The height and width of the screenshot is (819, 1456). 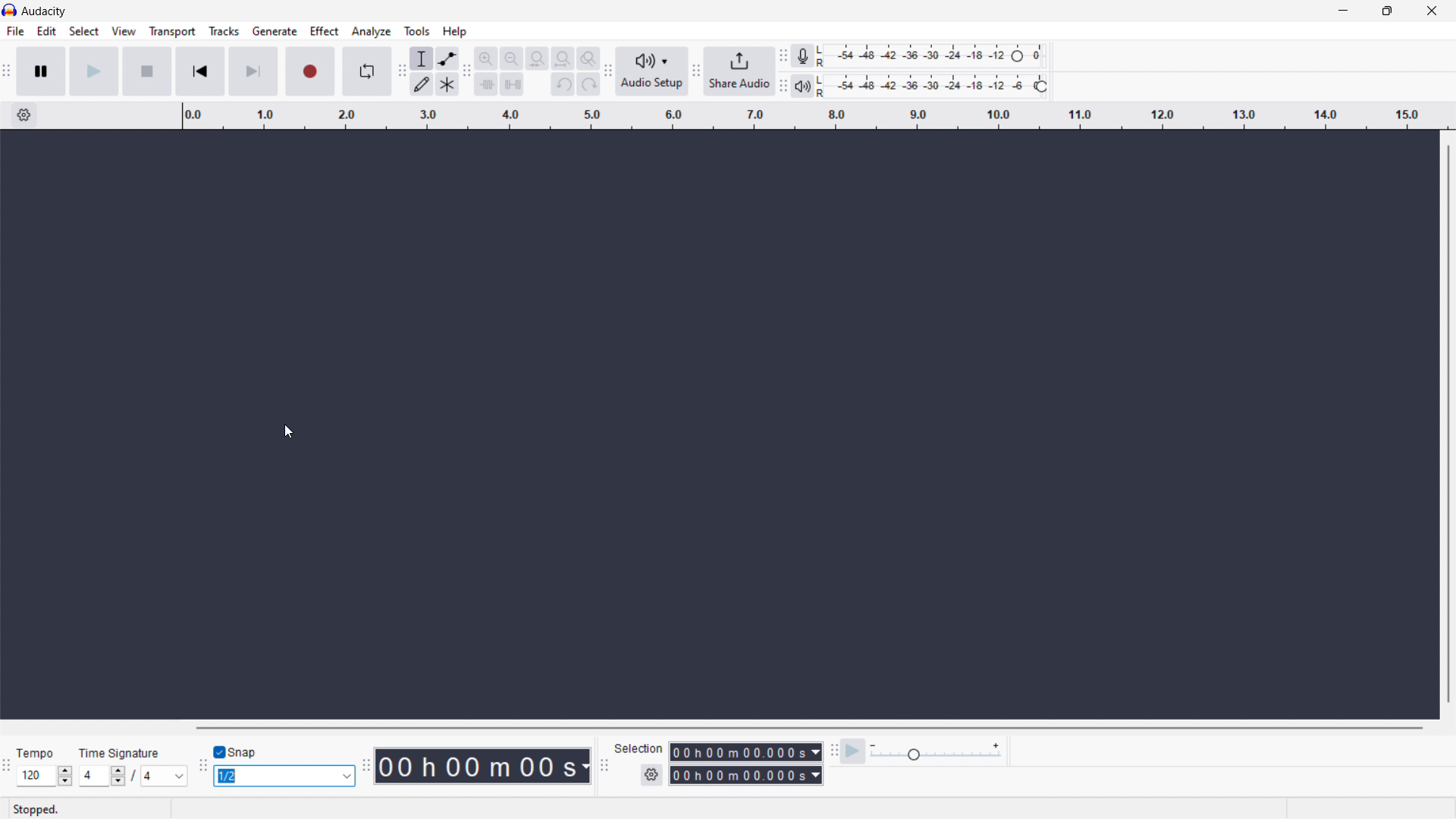 I want to click on pause, so click(x=41, y=71).